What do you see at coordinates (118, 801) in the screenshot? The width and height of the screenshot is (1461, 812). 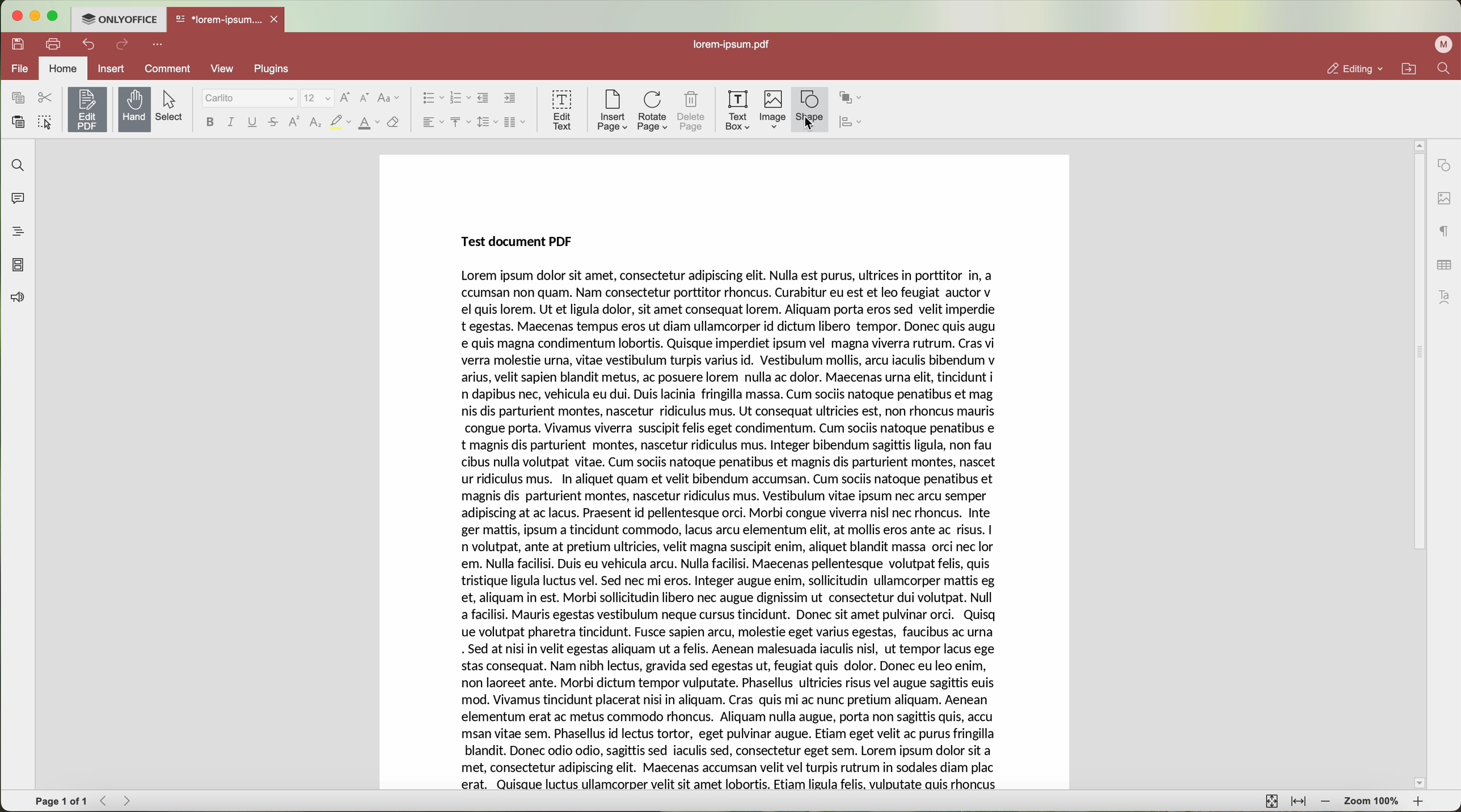 I see `navigate arrows` at bounding box center [118, 801].